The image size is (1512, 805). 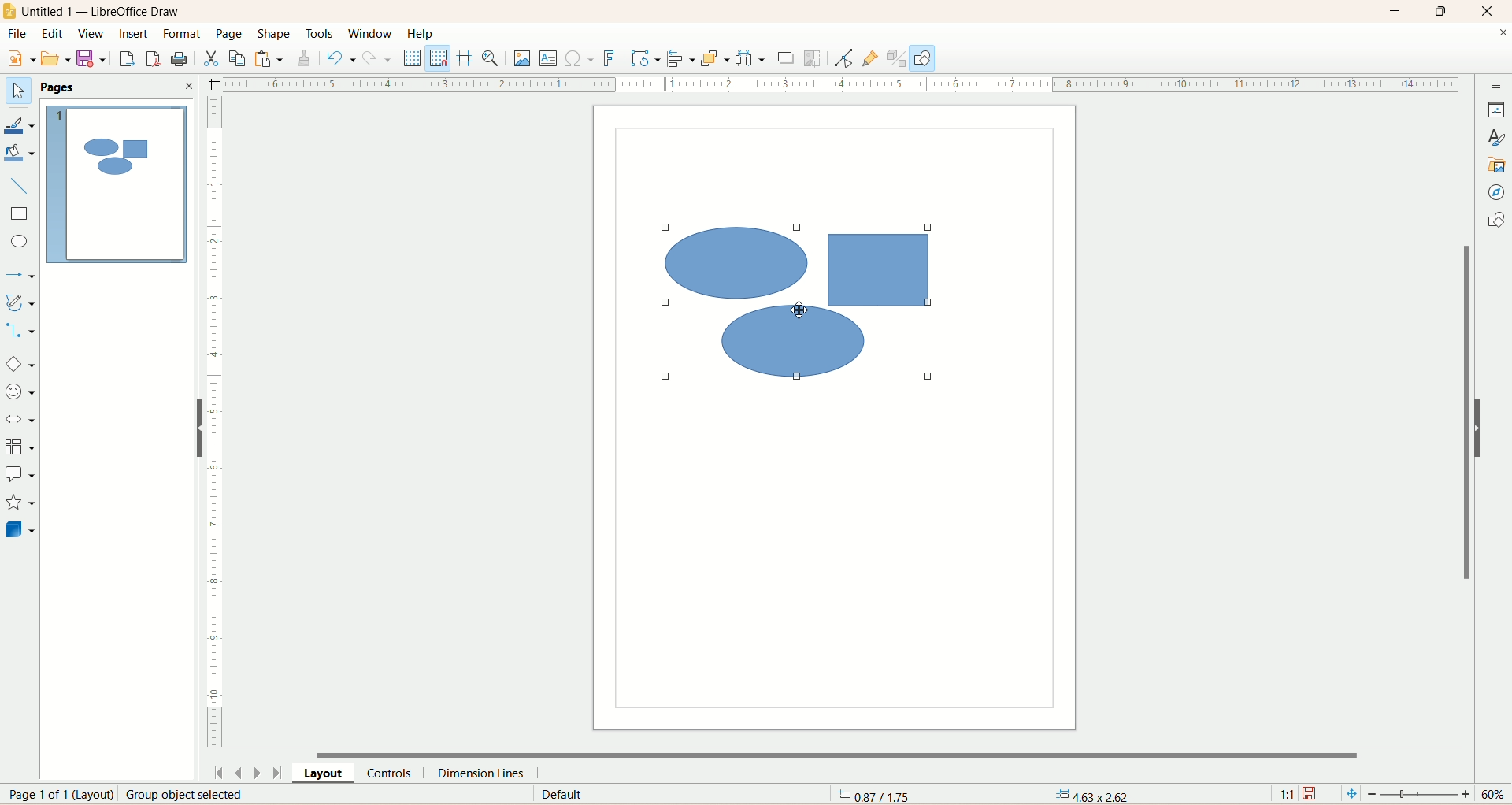 I want to click on save, so click(x=1313, y=794).